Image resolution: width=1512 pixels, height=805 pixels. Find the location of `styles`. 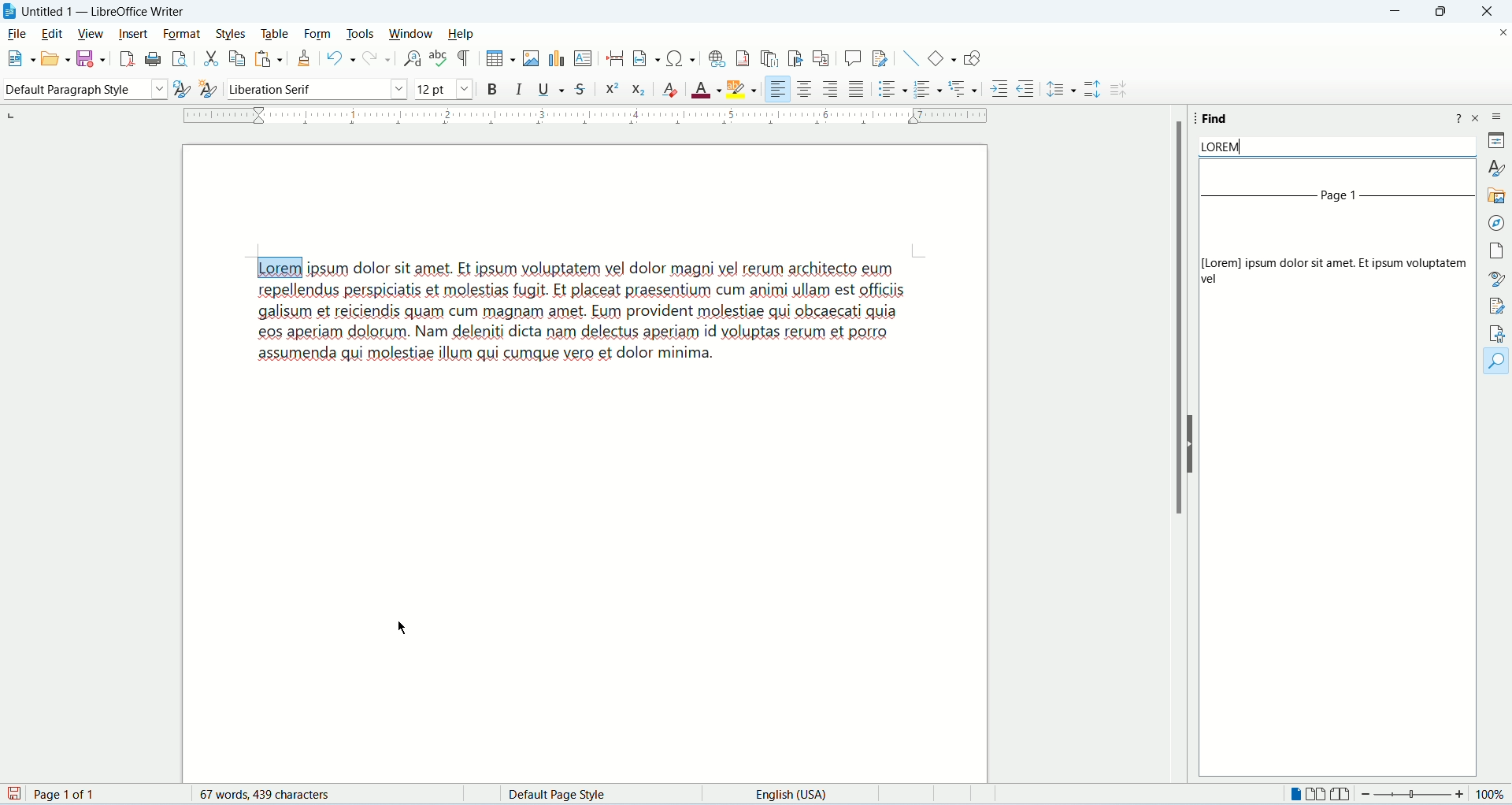

styles is located at coordinates (232, 32).